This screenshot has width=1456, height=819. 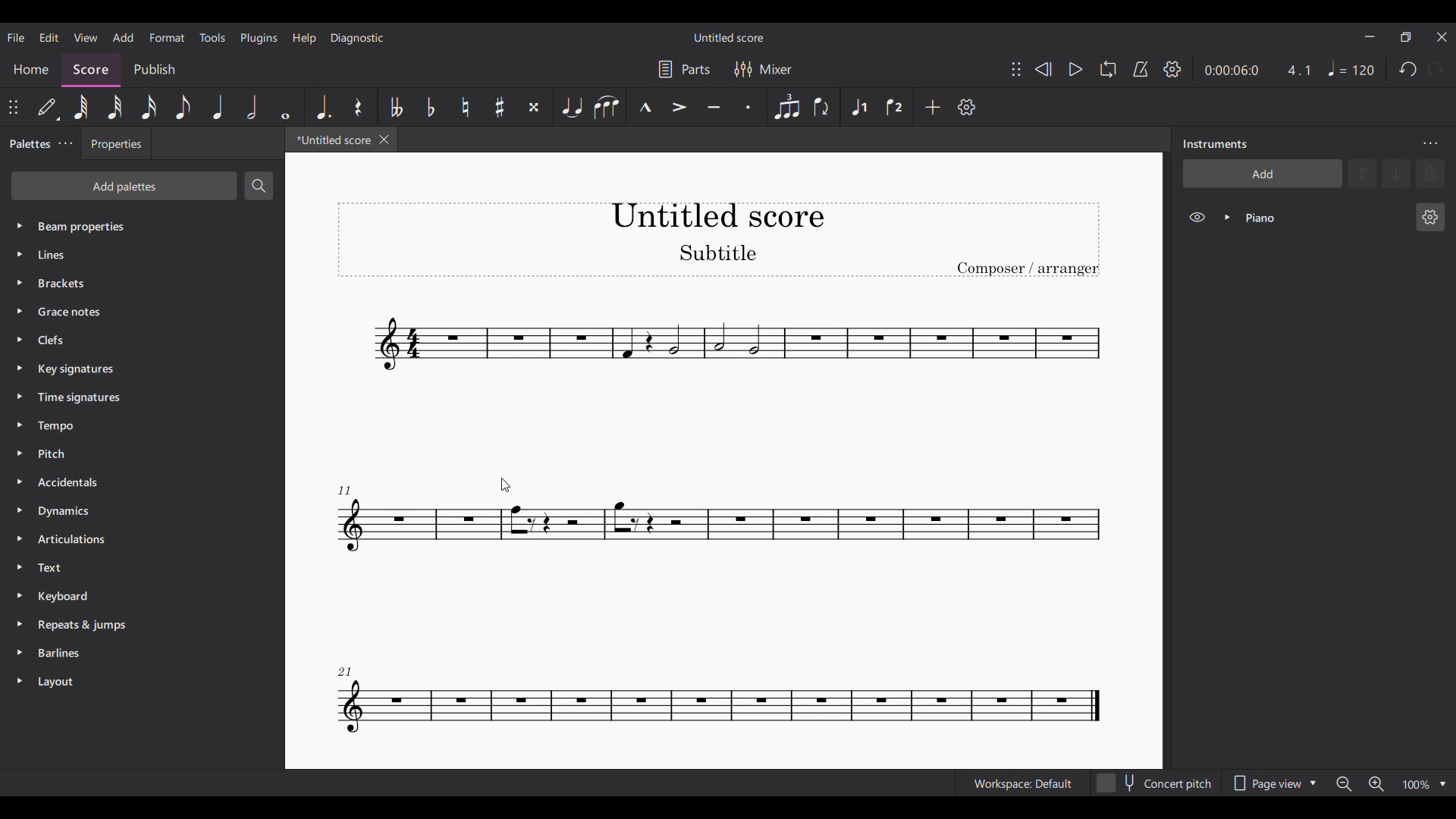 I want to click on Barlines, so click(x=130, y=655).